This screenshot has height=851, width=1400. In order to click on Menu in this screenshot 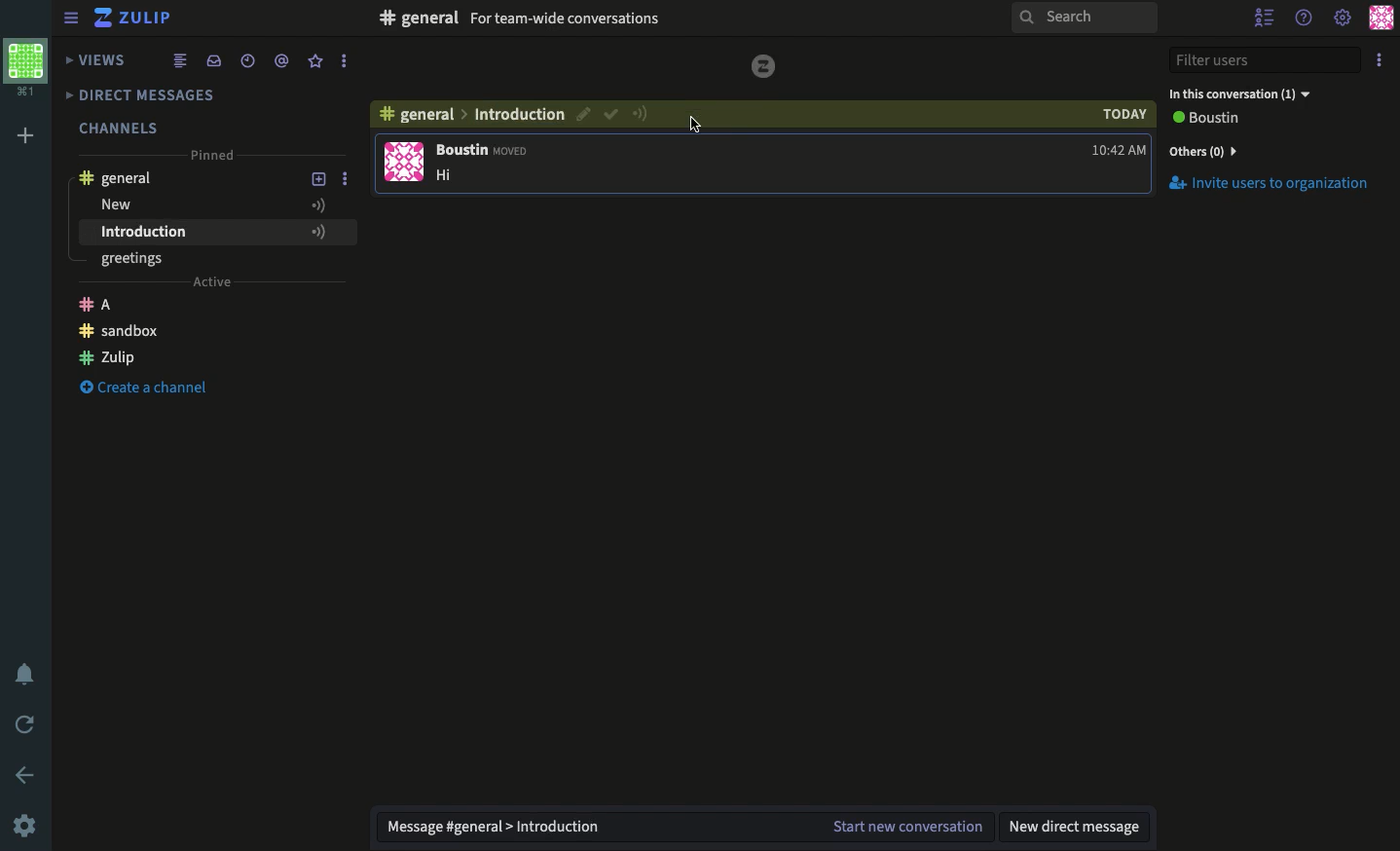, I will do `click(72, 17)`.